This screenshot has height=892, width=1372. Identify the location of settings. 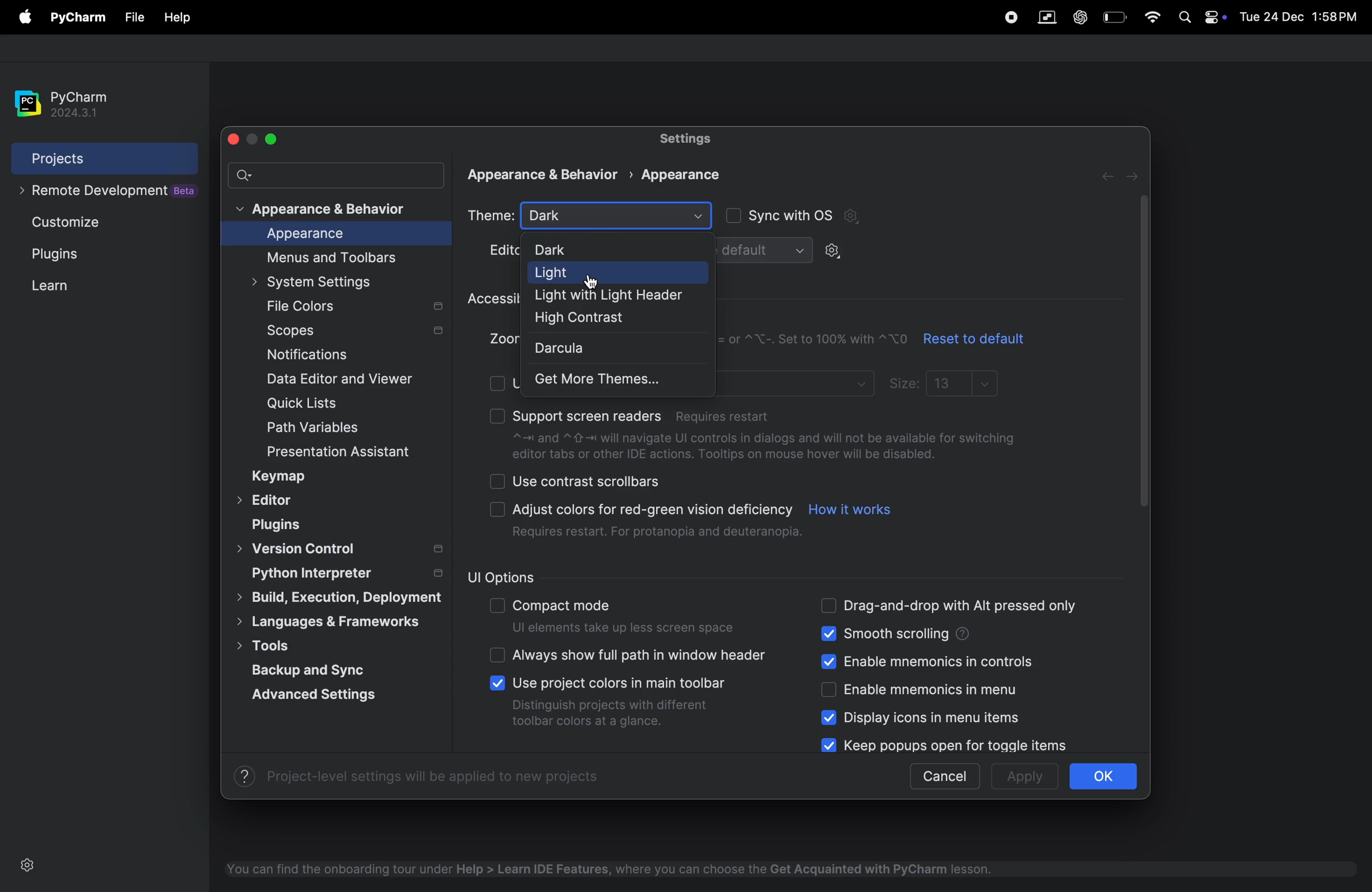
(702, 139).